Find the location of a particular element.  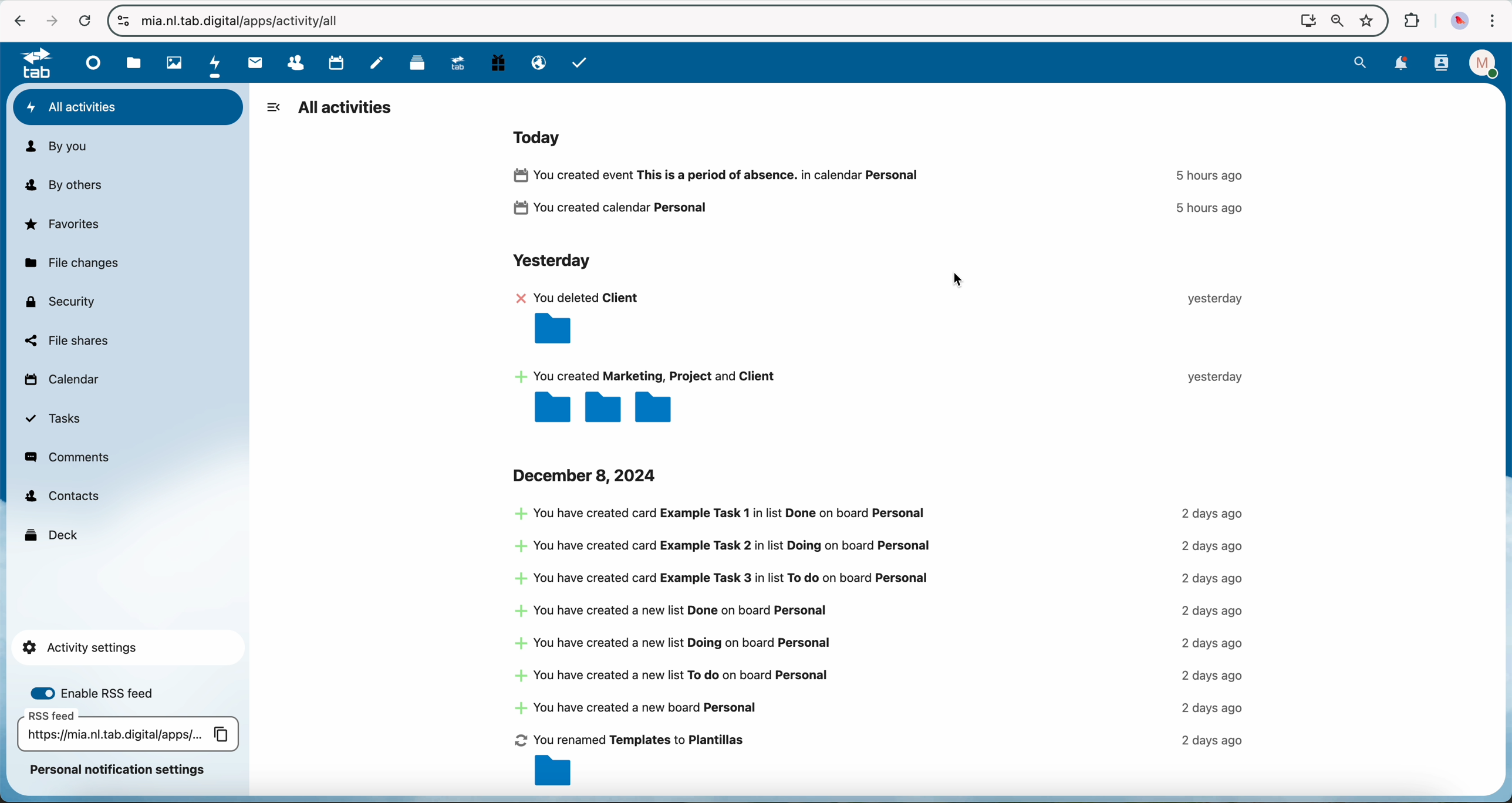

activity settings is located at coordinates (126, 647).